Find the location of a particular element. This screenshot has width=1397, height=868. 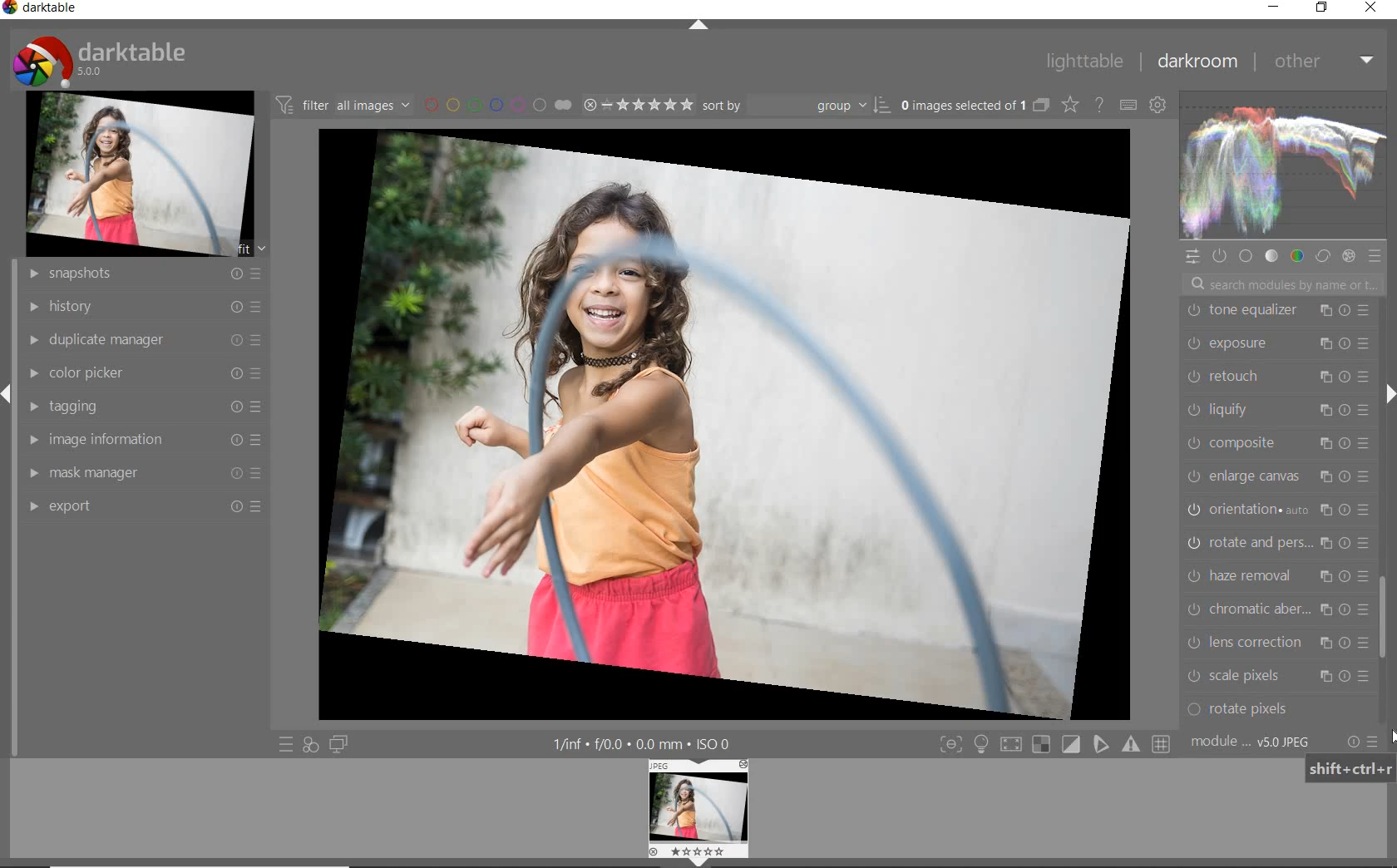

selected image is located at coordinates (725, 423).